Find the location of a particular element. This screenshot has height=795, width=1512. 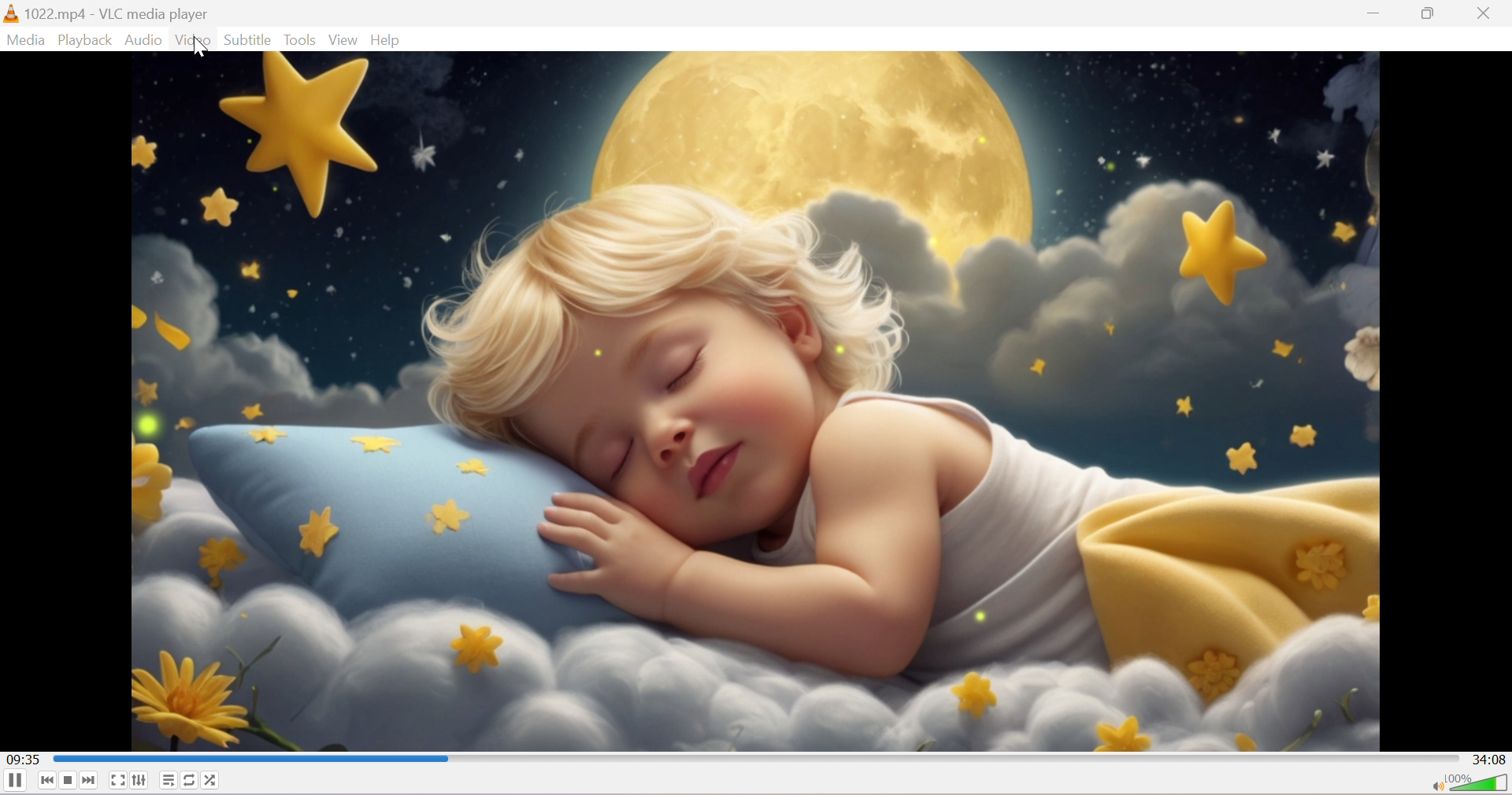

Show extended settings is located at coordinates (139, 782).